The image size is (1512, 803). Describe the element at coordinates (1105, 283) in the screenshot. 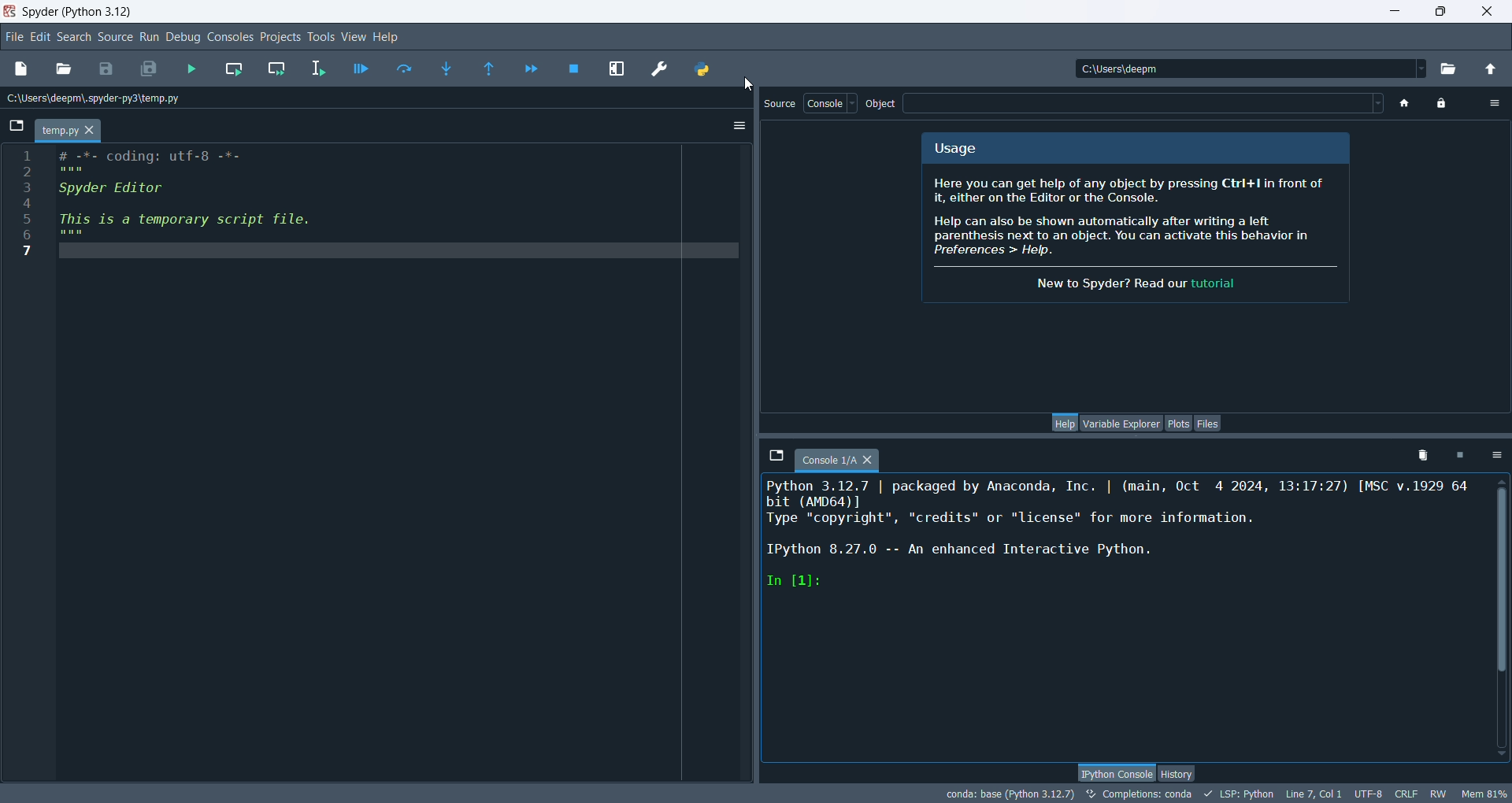

I see `text for tutorial` at that location.